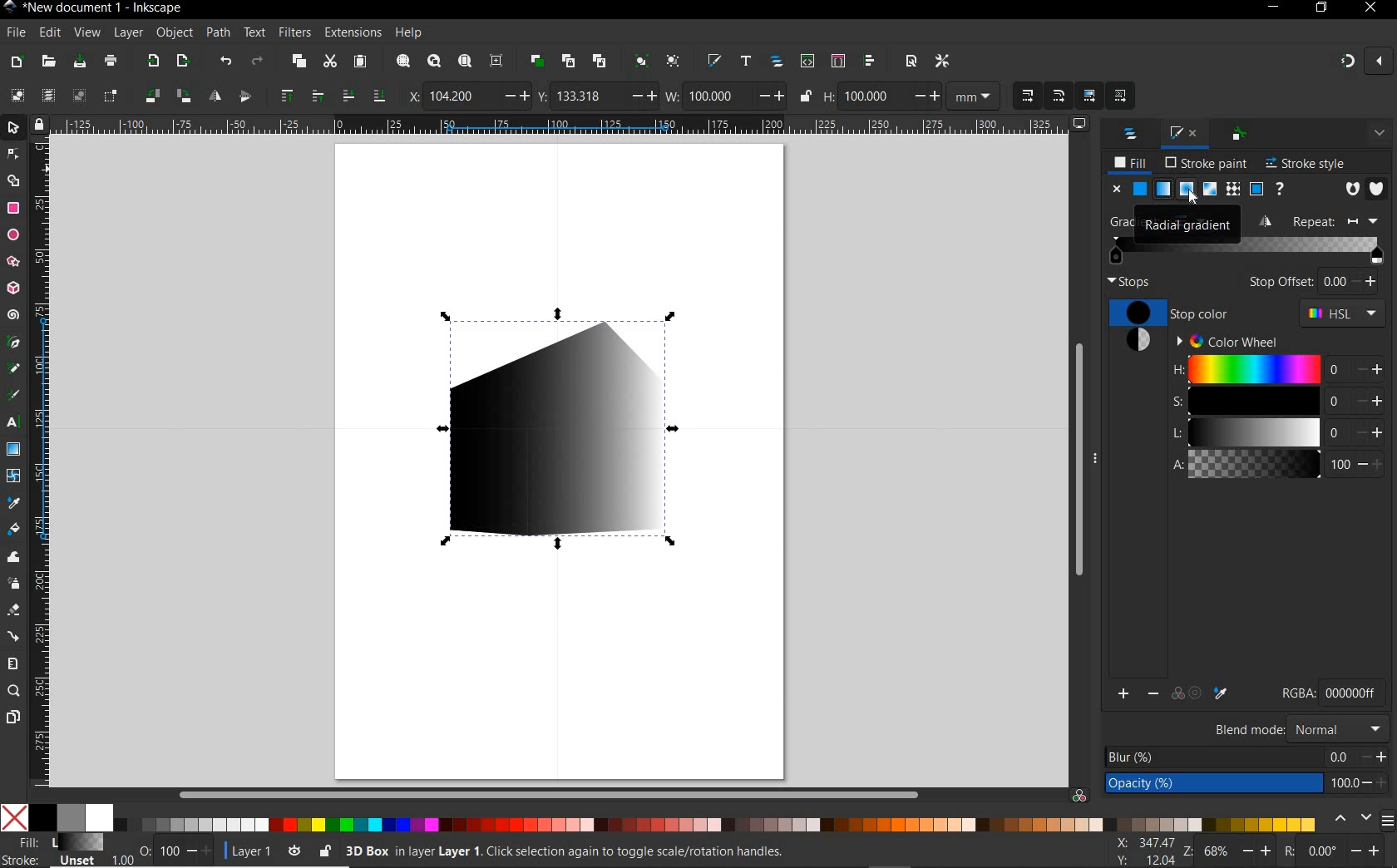 This screenshot has width=1397, height=868. Describe the element at coordinates (1254, 433) in the screenshot. I see `L` at that location.